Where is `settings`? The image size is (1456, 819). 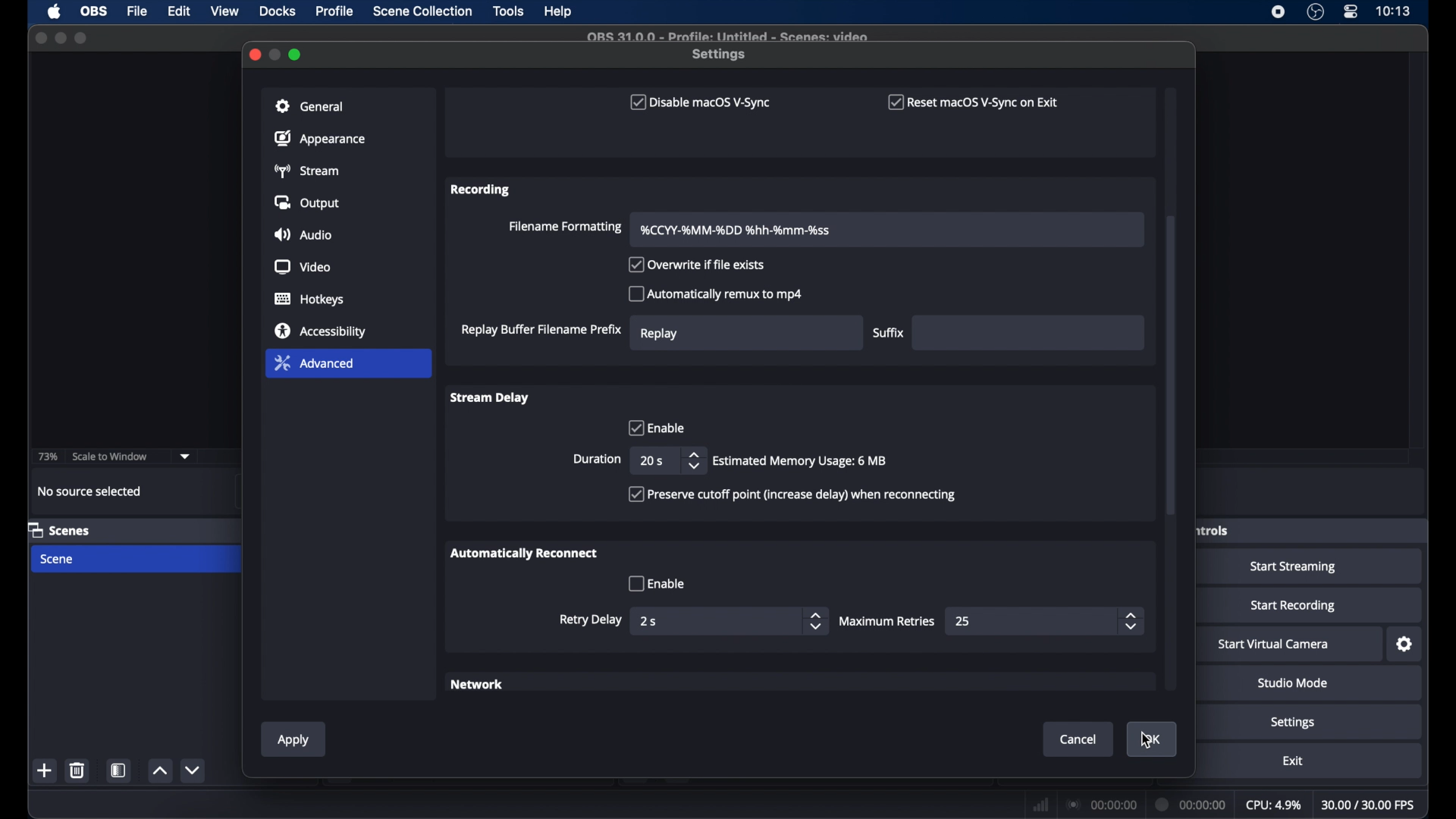 settings is located at coordinates (720, 55).